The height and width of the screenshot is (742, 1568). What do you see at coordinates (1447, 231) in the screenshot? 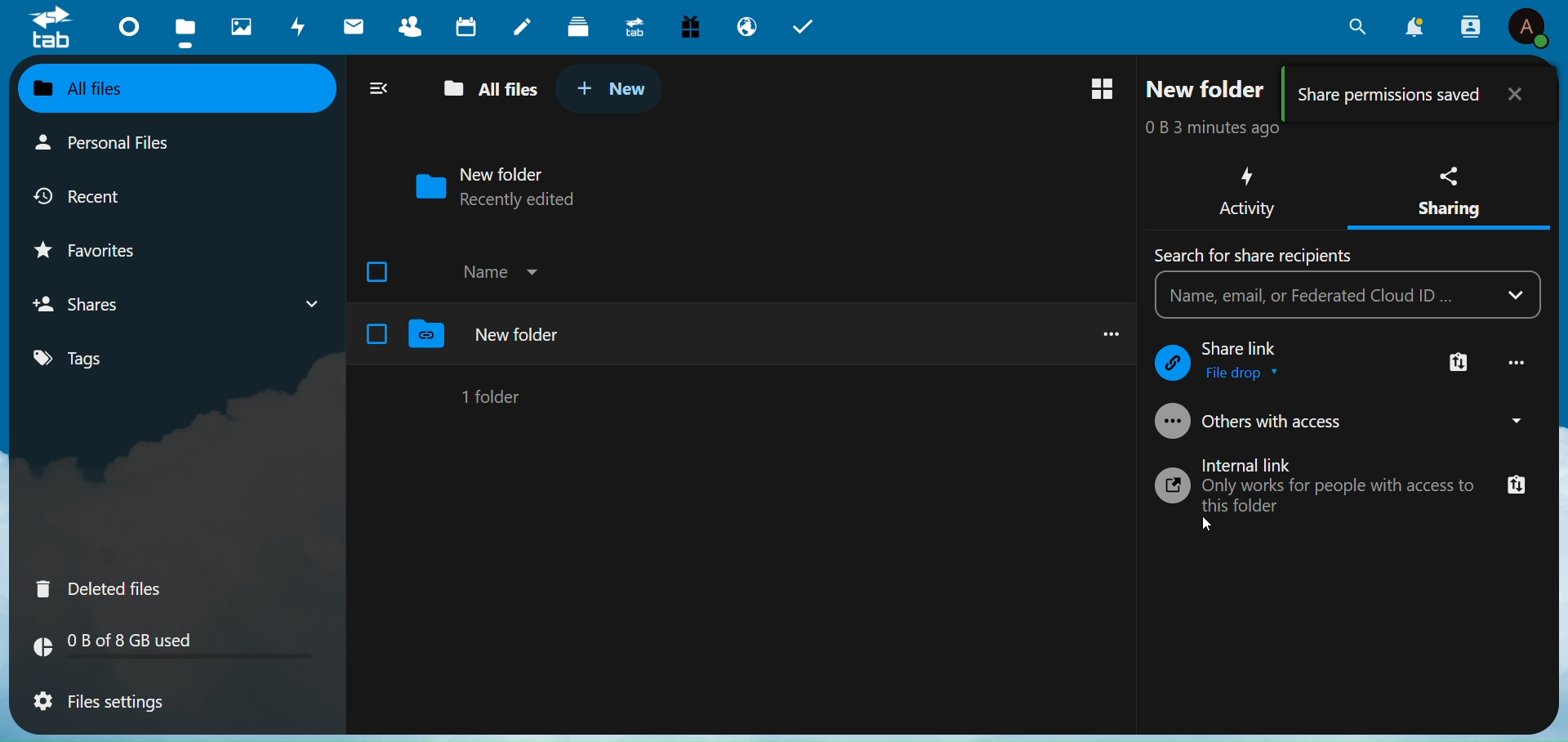
I see `Sharing selected` at bounding box center [1447, 231].